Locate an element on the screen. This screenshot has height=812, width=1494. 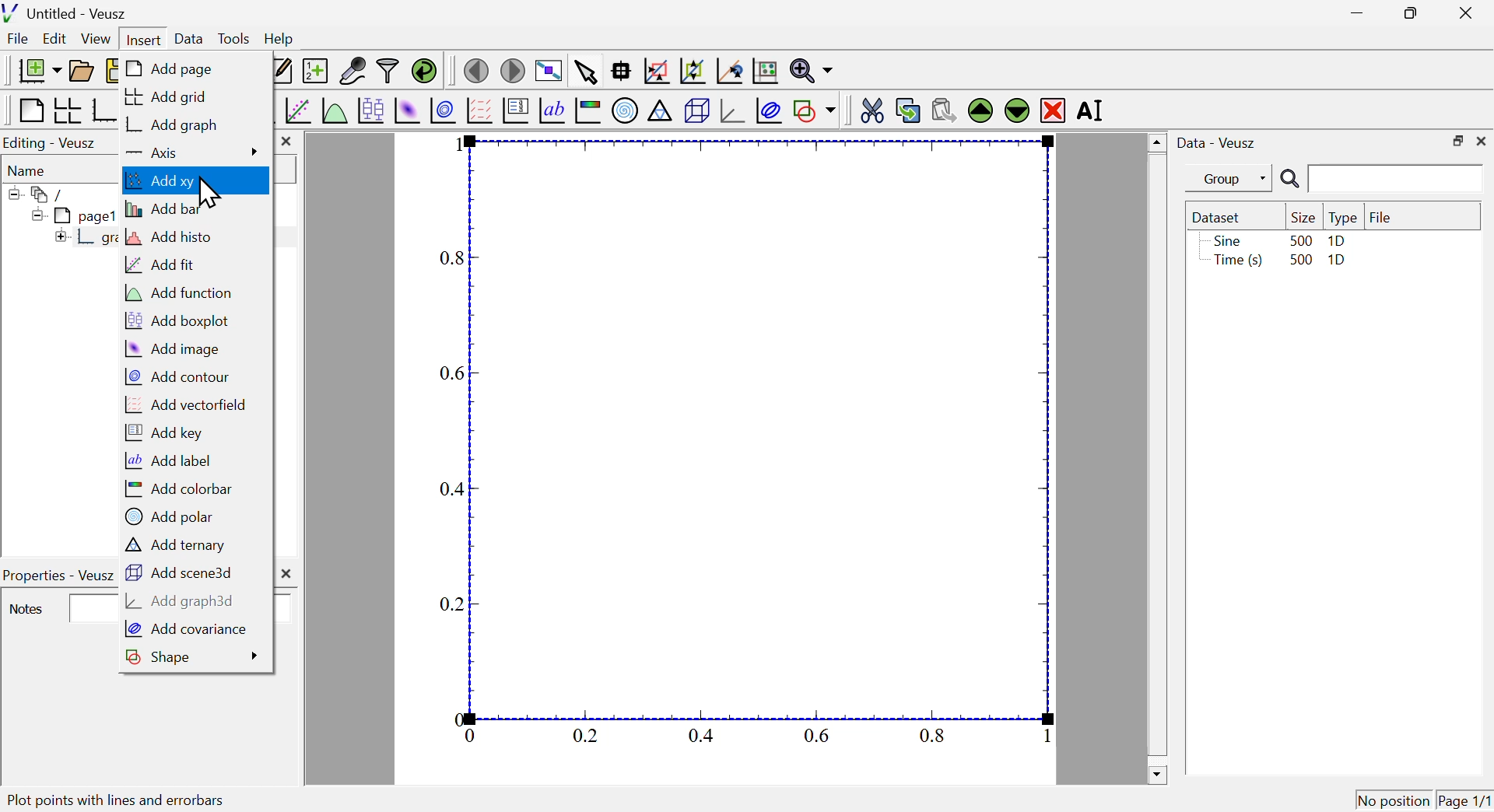
move the selected widget up is located at coordinates (980, 110).